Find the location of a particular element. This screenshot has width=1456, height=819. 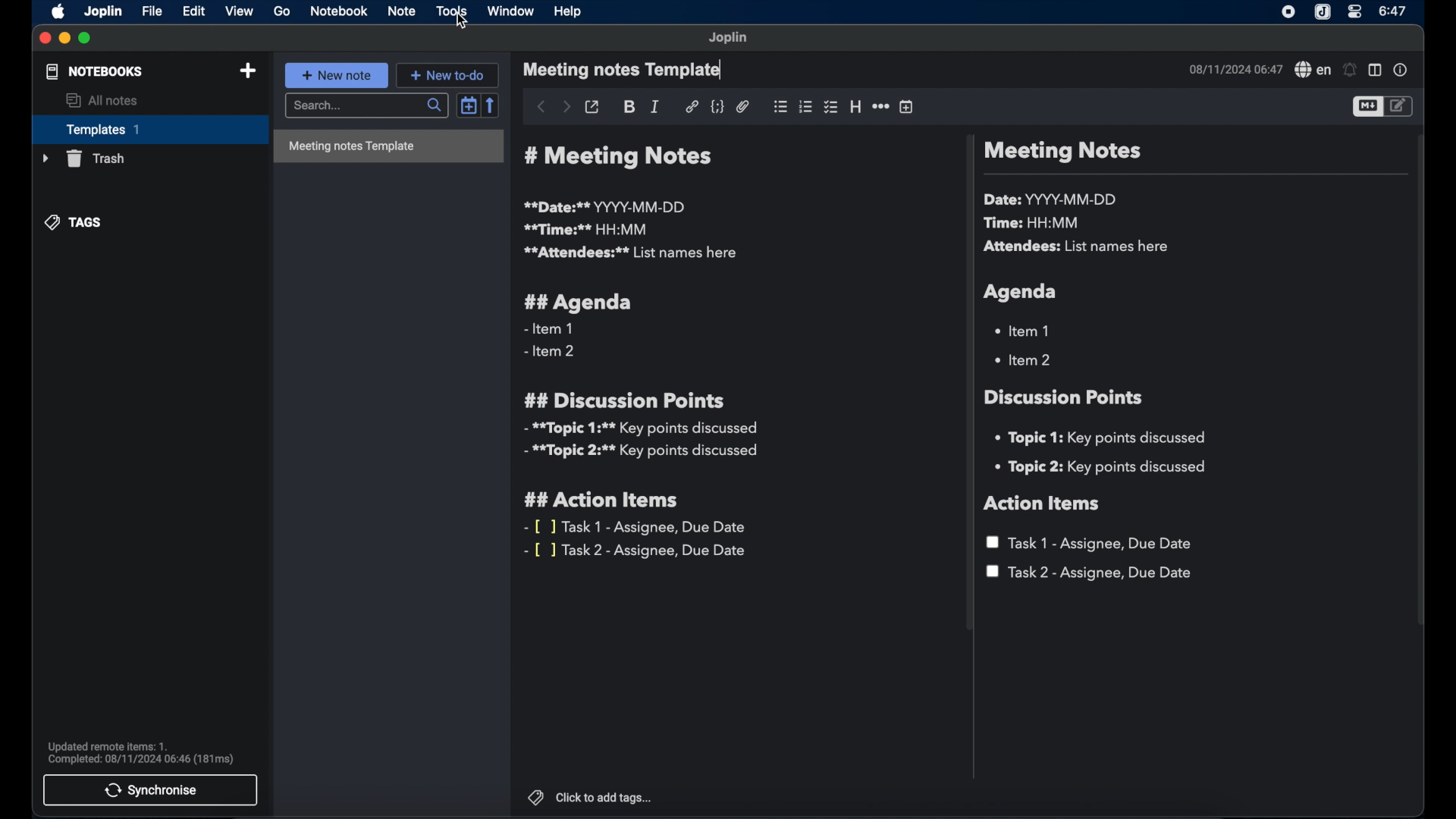

hyperlink is located at coordinates (692, 106).